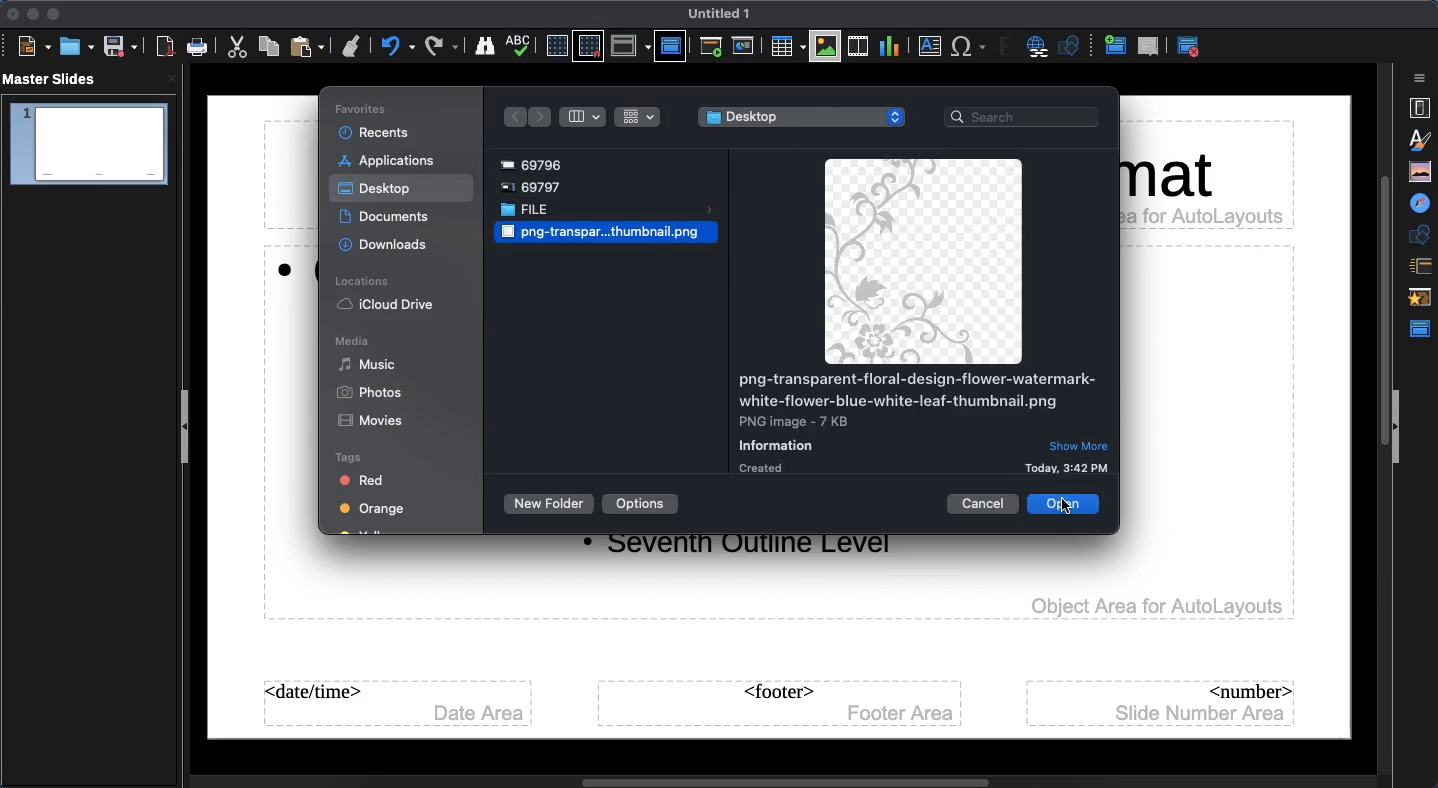 This screenshot has width=1438, height=788. What do you see at coordinates (1061, 504) in the screenshot?
I see `Open` at bounding box center [1061, 504].